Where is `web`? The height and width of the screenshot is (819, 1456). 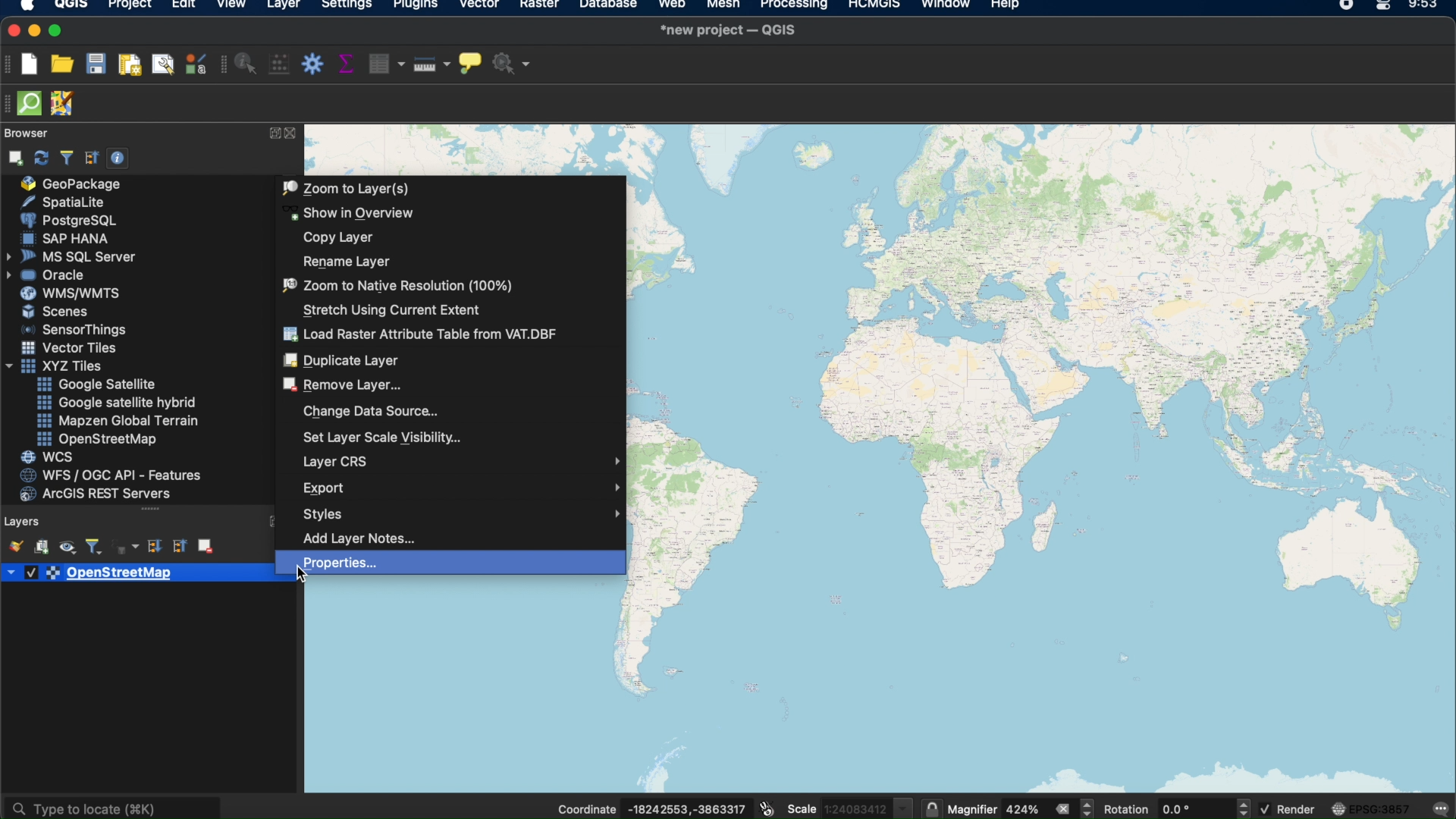 web is located at coordinates (672, 6).